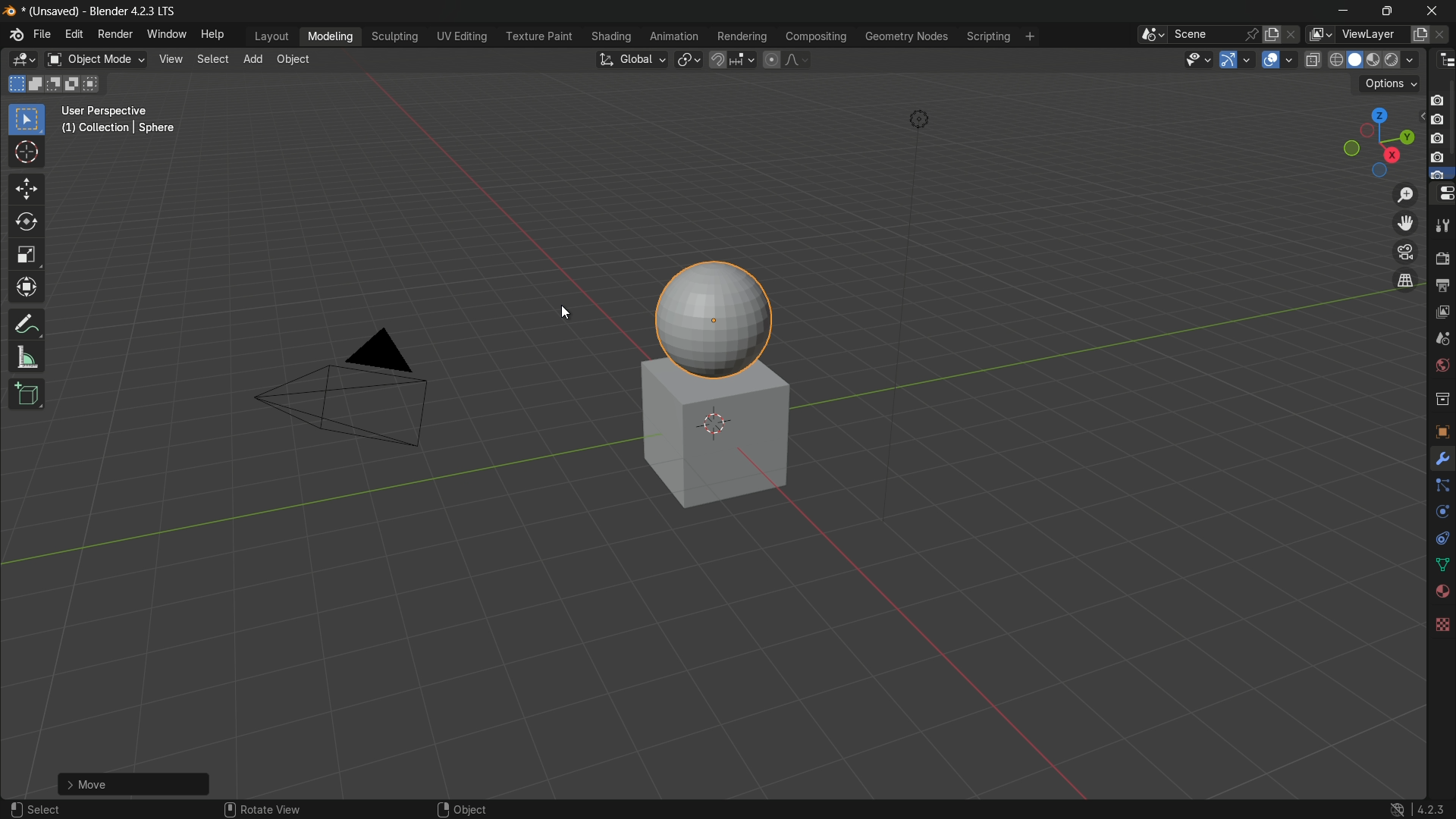  What do you see at coordinates (36, 810) in the screenshot?
I see `select` at bounding box center [36, 810].